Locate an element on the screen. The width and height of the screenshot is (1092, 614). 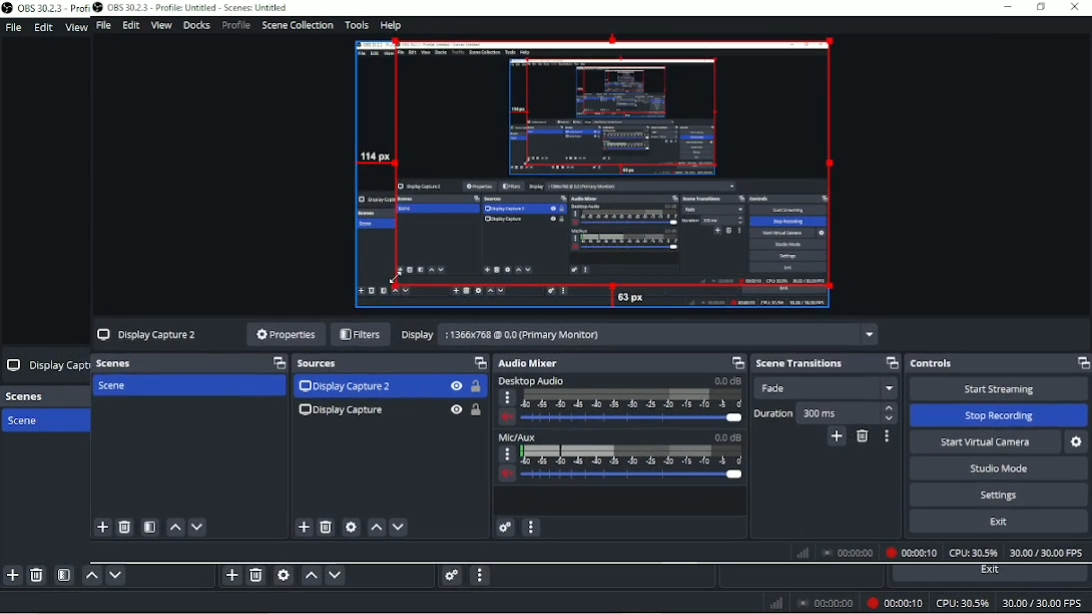
scale is located at coordinates (636, 401).